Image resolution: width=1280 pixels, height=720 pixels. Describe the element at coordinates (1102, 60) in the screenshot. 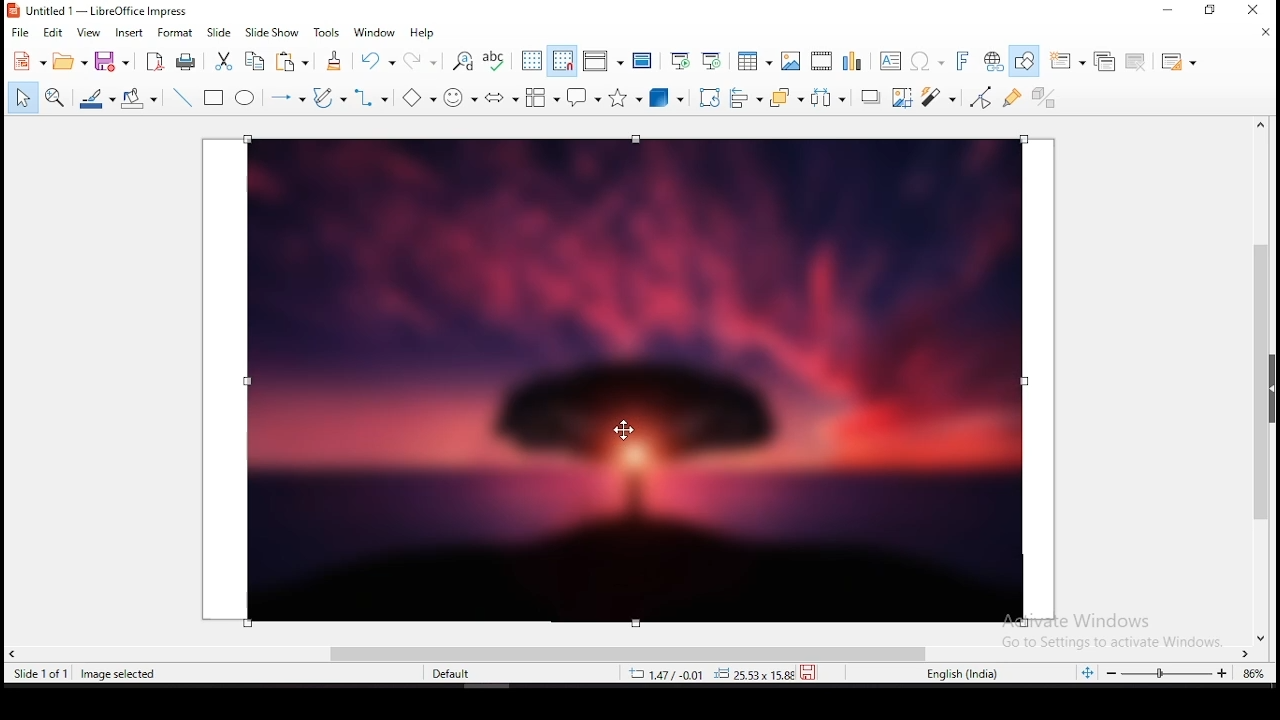

I see `duplicate slide` at that location.